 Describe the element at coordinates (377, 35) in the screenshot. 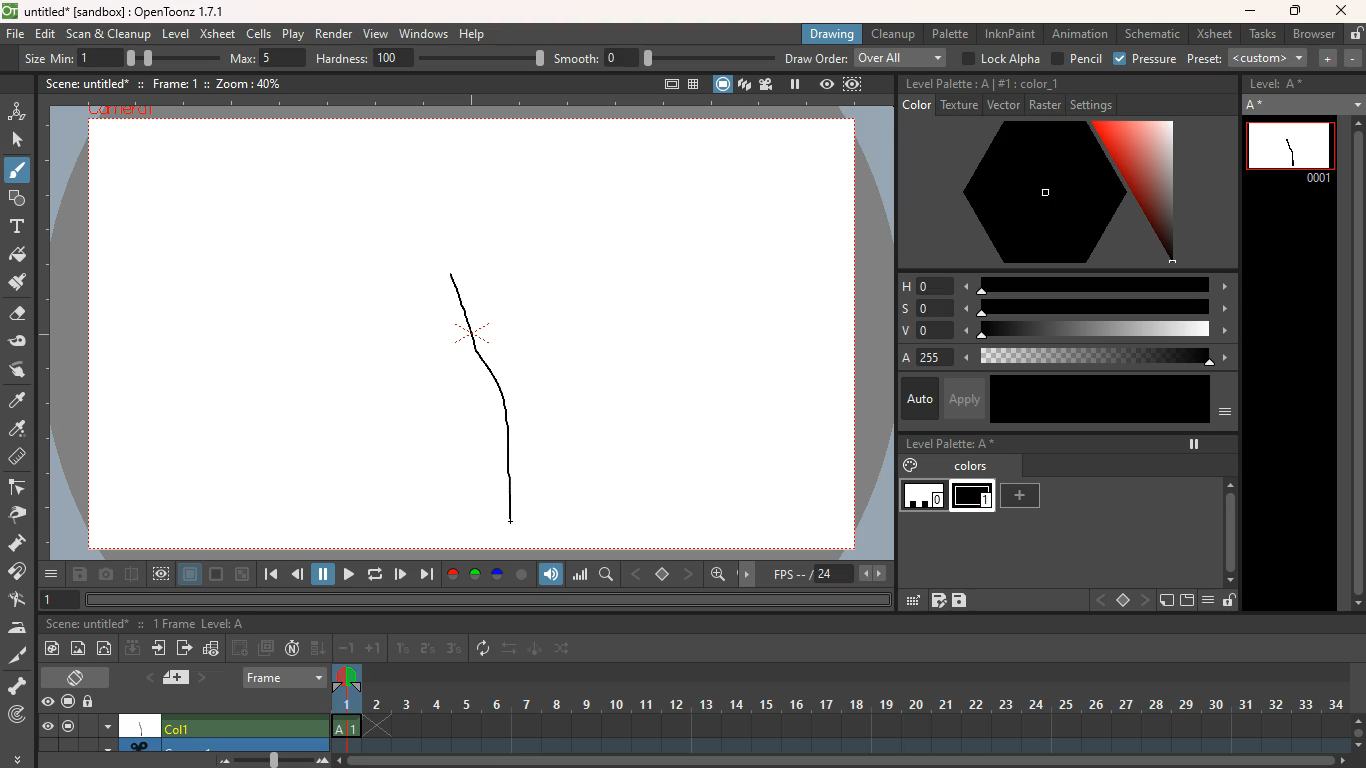

I see `view` at that location.